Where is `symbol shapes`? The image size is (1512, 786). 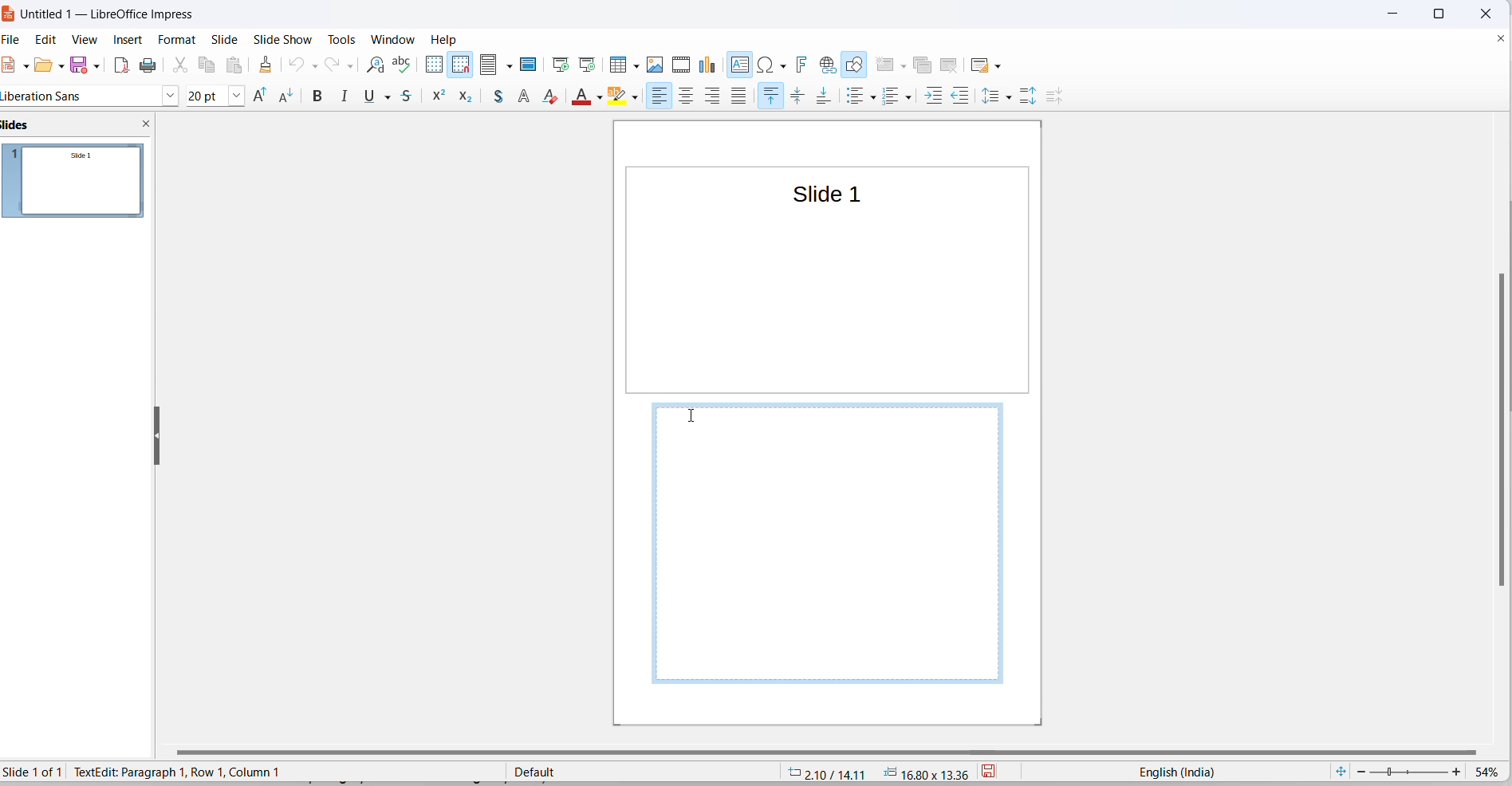
symbol shapes is located at coordinates (376, 97).